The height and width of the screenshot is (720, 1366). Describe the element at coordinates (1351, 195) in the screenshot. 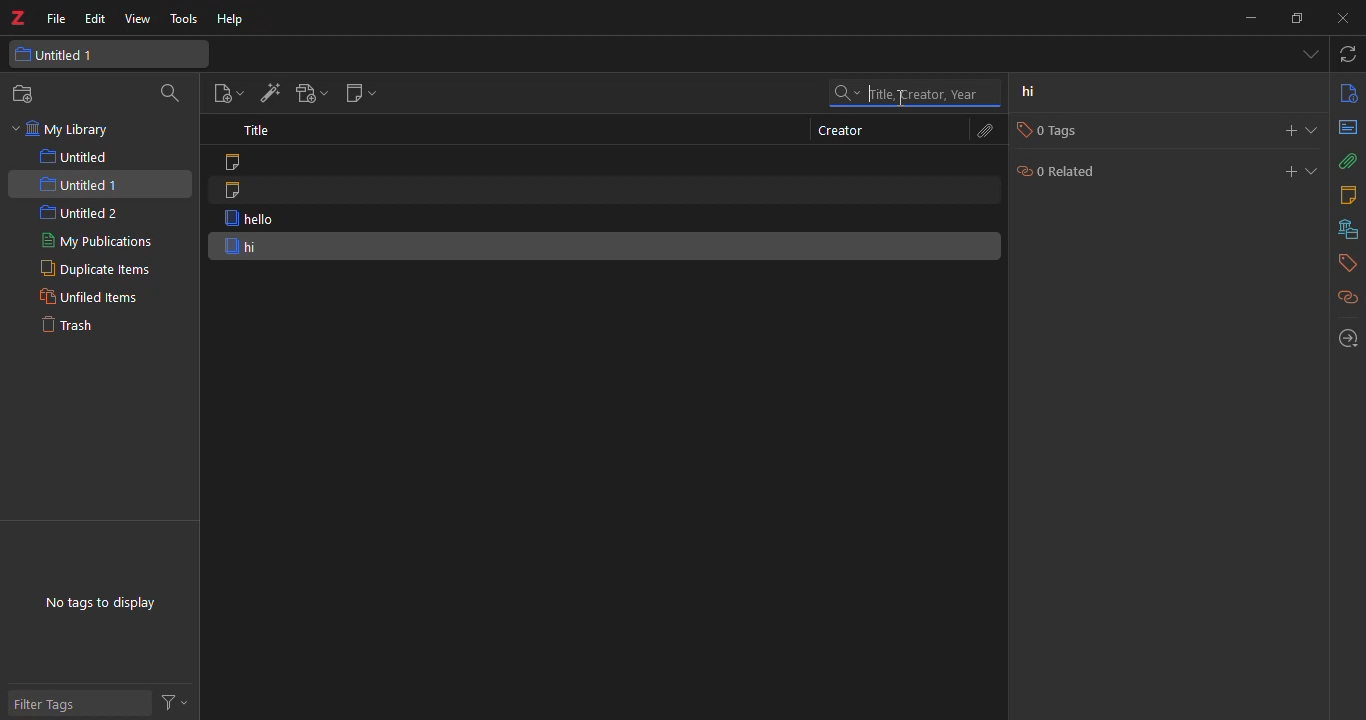

I see `notes` at that location.